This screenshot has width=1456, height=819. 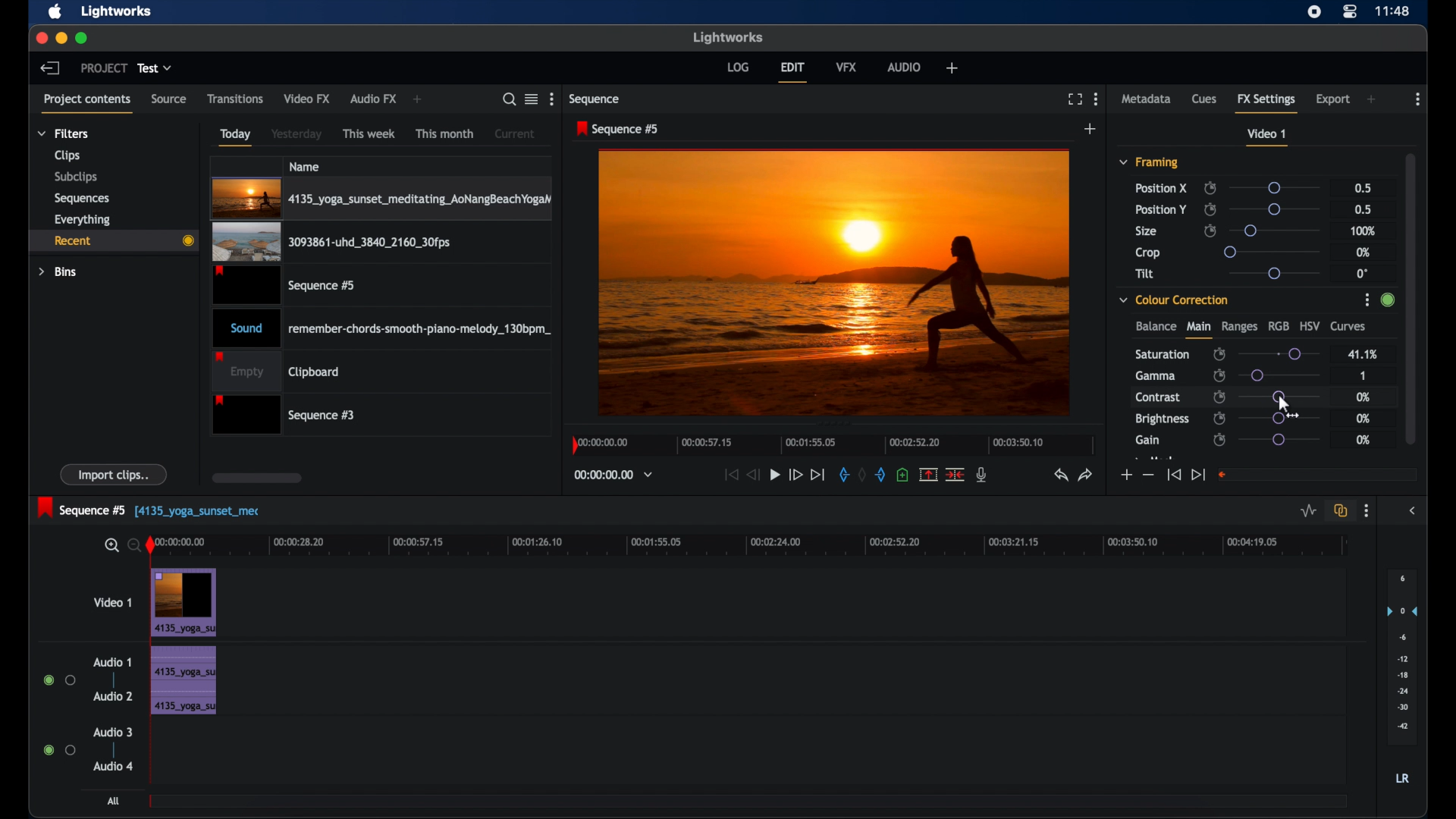 I want to click on gamma, so click(x=1155, y=375).